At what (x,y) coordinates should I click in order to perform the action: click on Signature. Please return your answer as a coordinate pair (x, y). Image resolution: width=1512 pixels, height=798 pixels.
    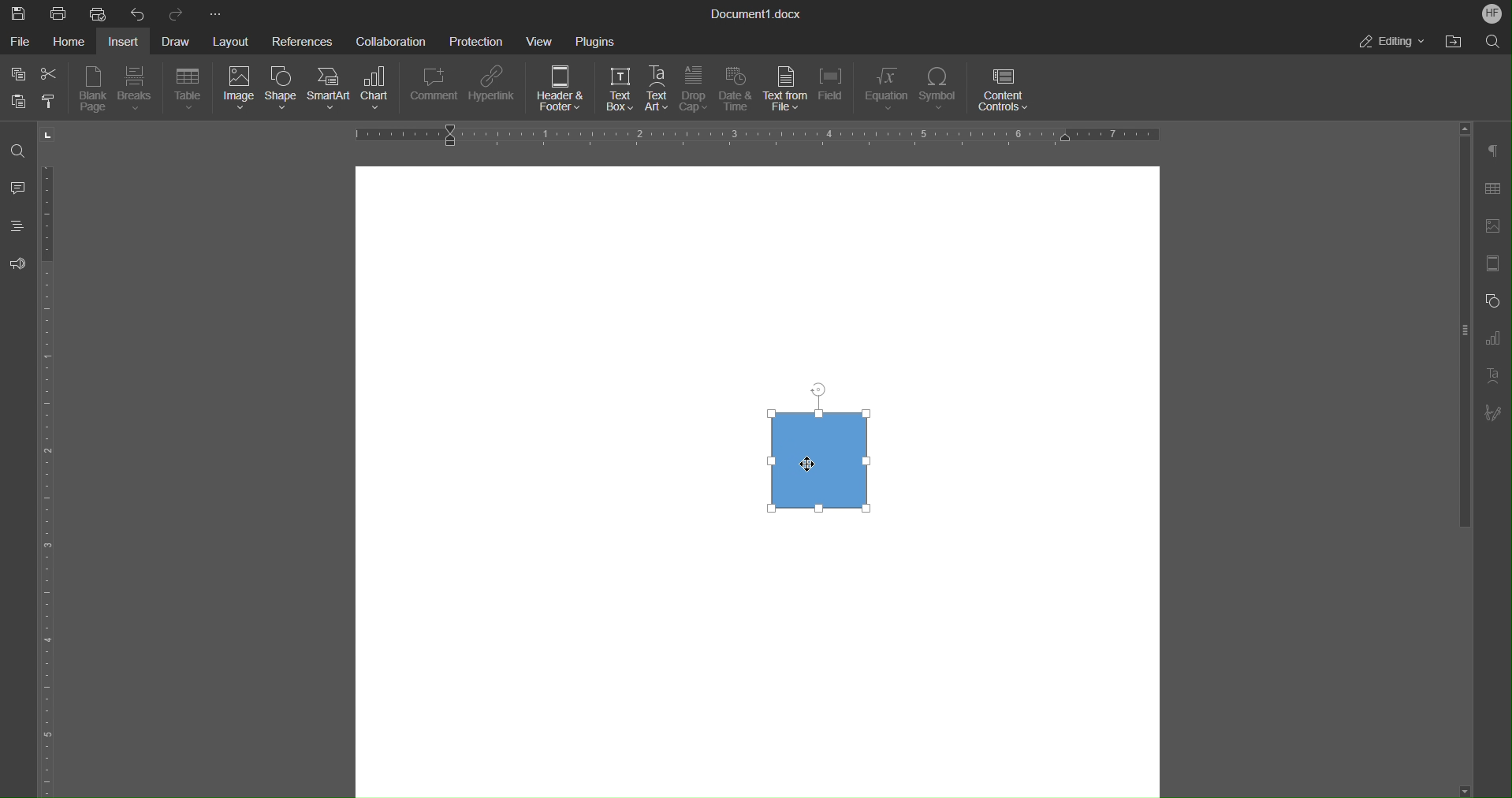
    Looking at the image, I should click on (1499, 413).